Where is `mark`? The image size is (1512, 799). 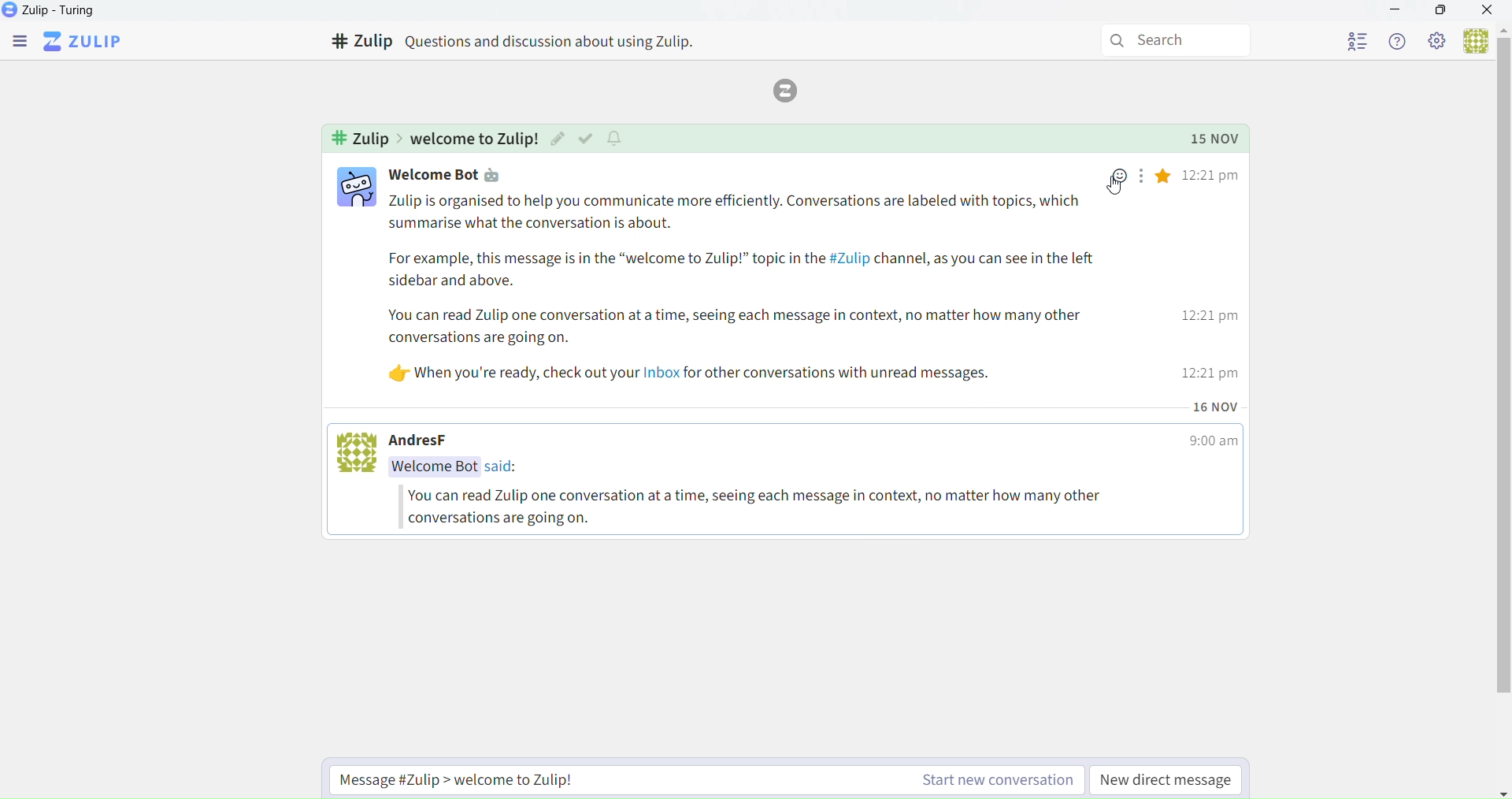 mark is located at coordinates (586, 138).